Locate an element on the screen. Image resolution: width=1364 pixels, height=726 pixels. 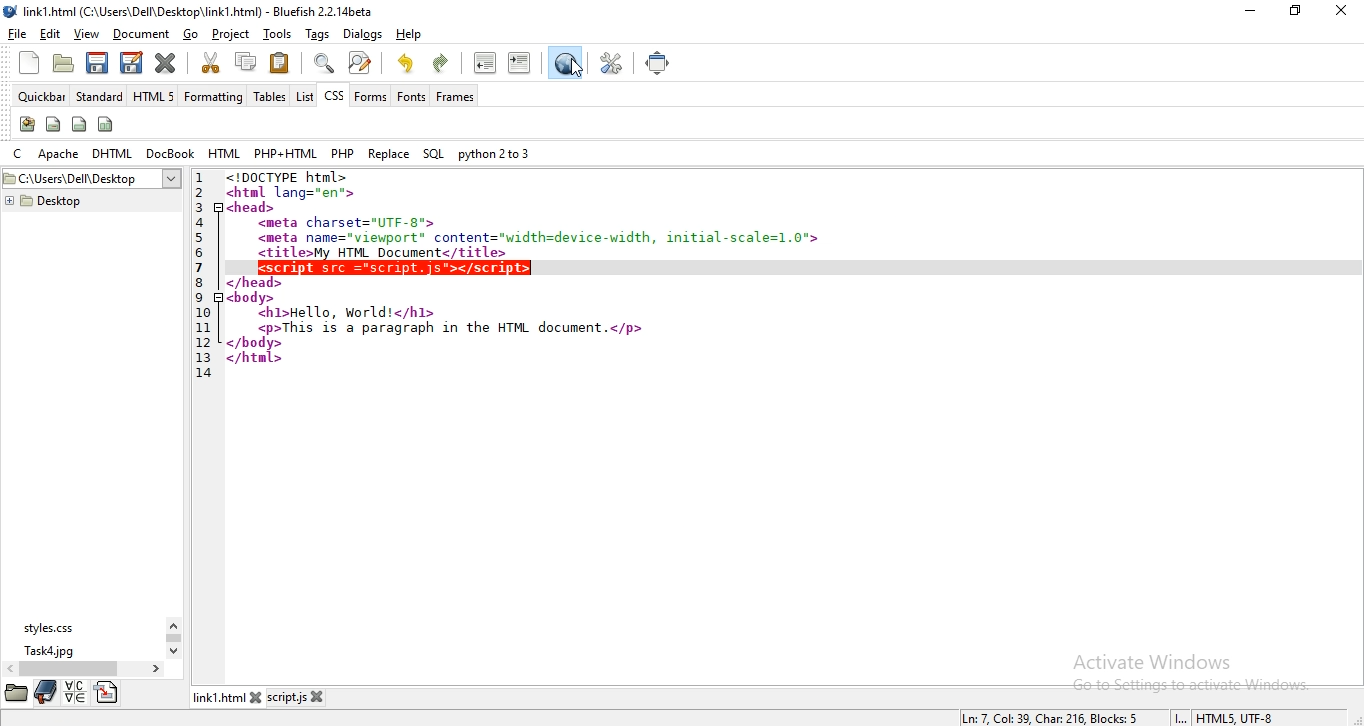
preview in browser is located at coordinates (566, 62).